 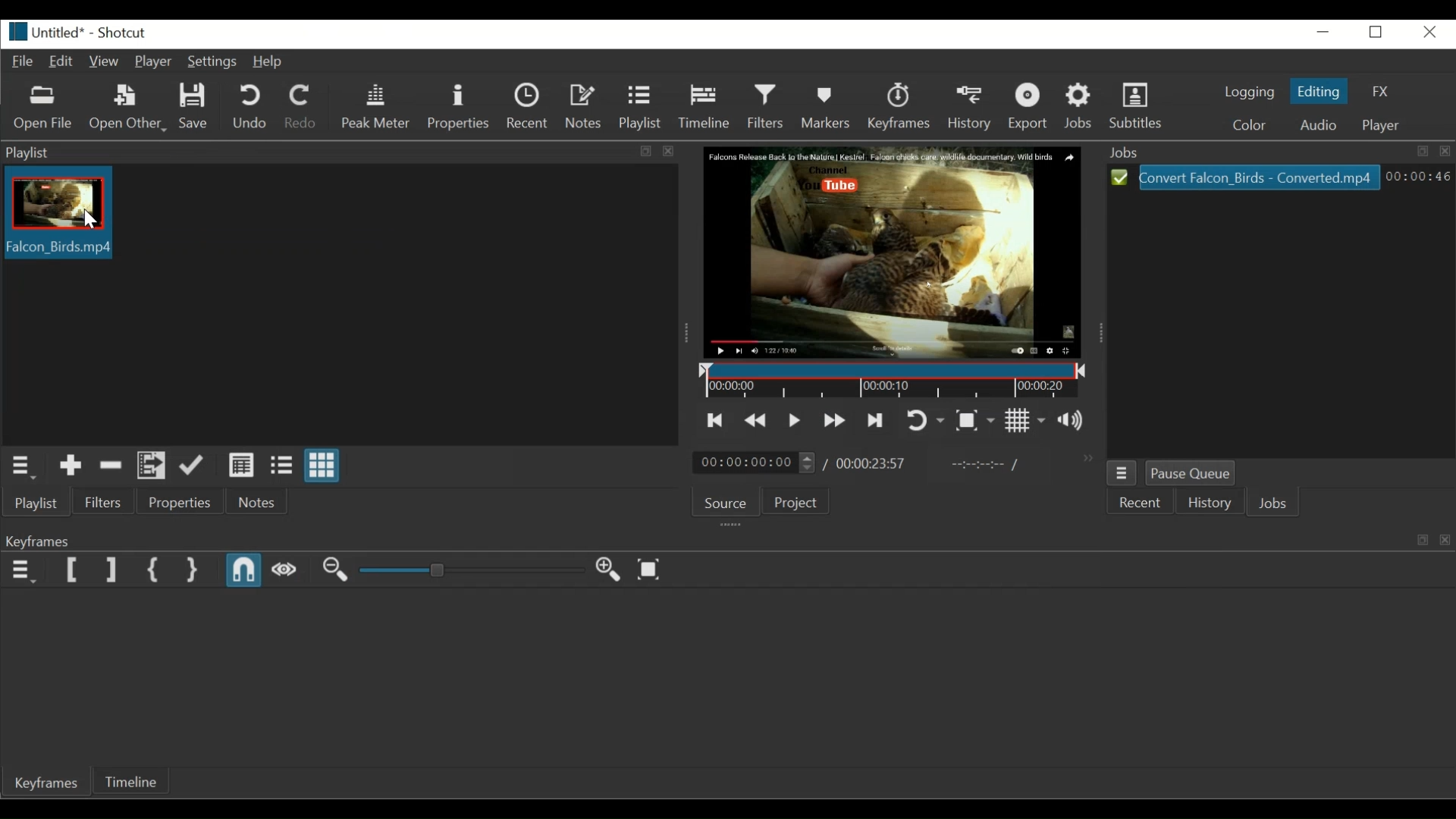 I want to click on Zoom in Keyframe, so click(x=606, y=570).